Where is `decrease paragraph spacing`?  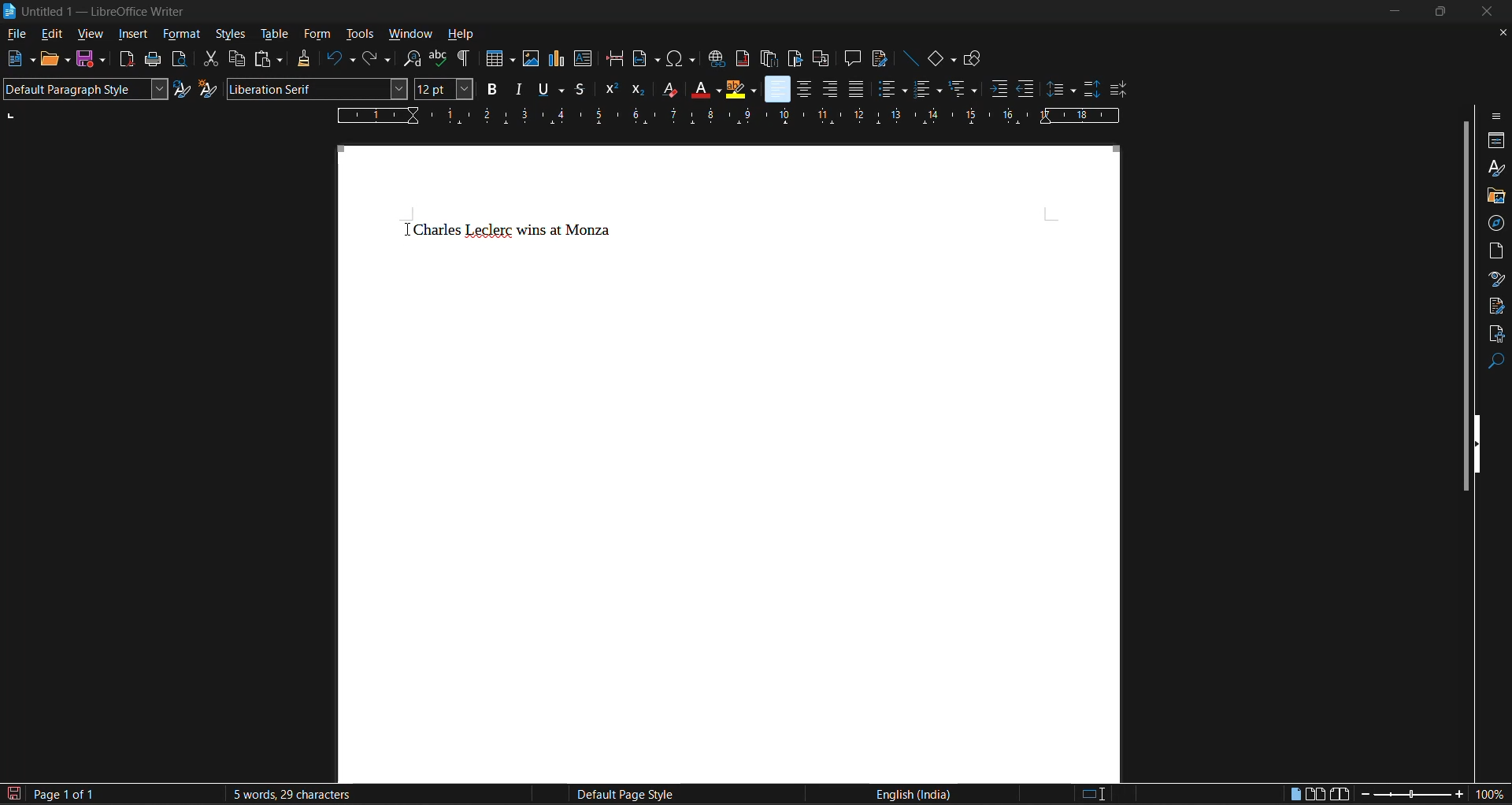
decrease paragraph spacing is located at coordinates (1118, 91).